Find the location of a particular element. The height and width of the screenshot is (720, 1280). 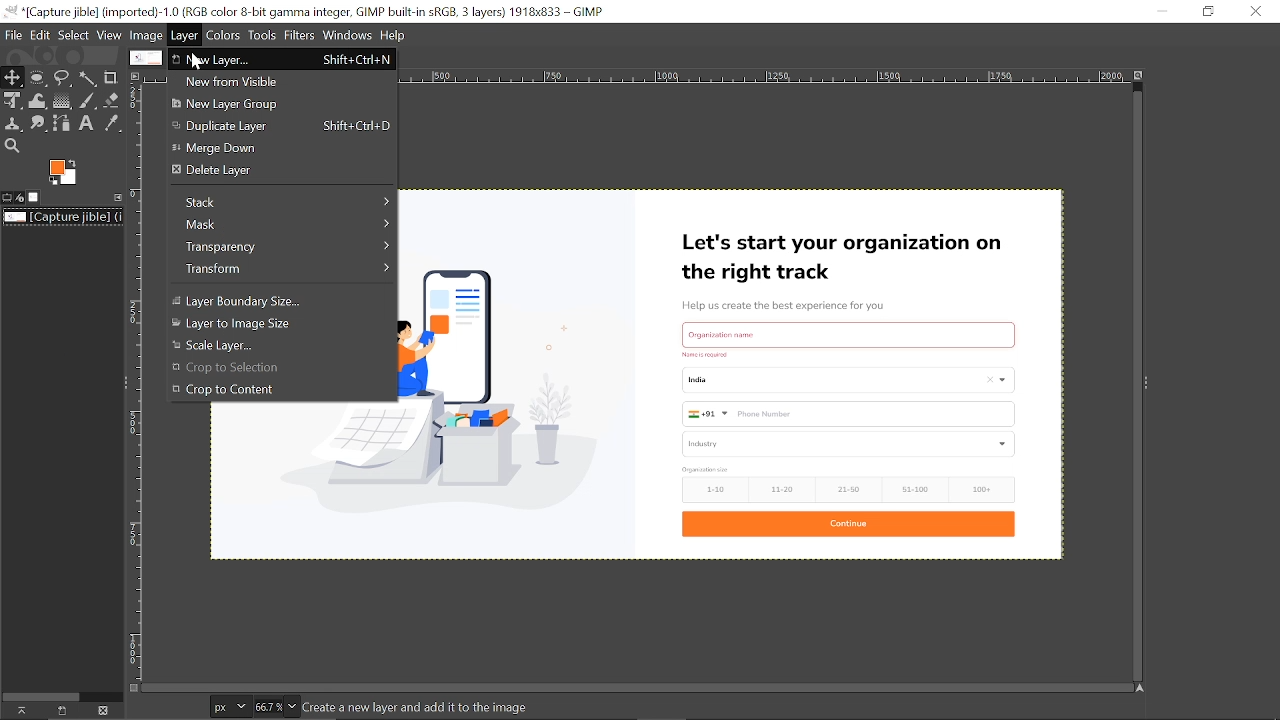

New layer group is located at coordinates (263, 103).